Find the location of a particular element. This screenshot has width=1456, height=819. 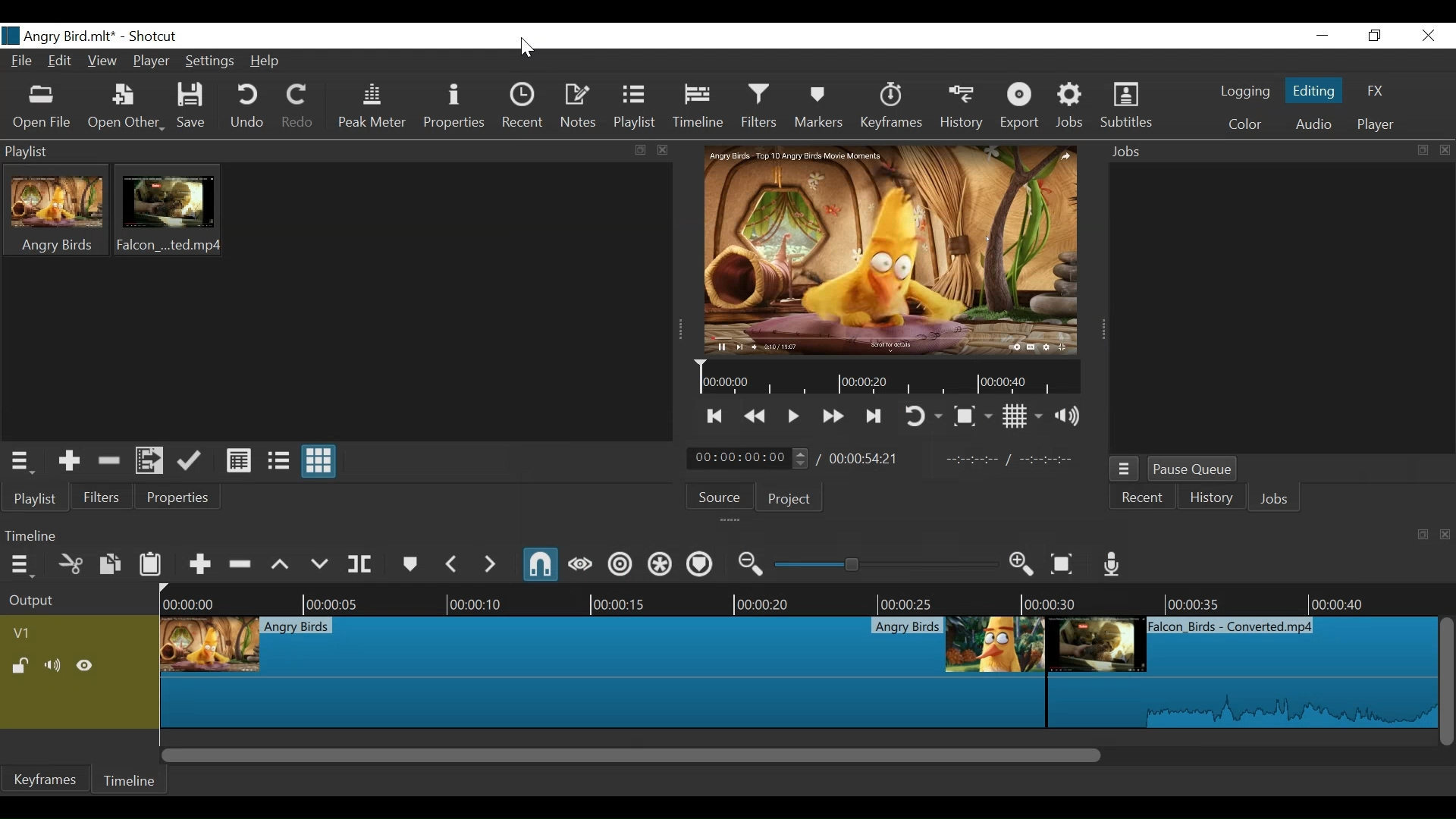

logging is located at coordinates (1244, 92).